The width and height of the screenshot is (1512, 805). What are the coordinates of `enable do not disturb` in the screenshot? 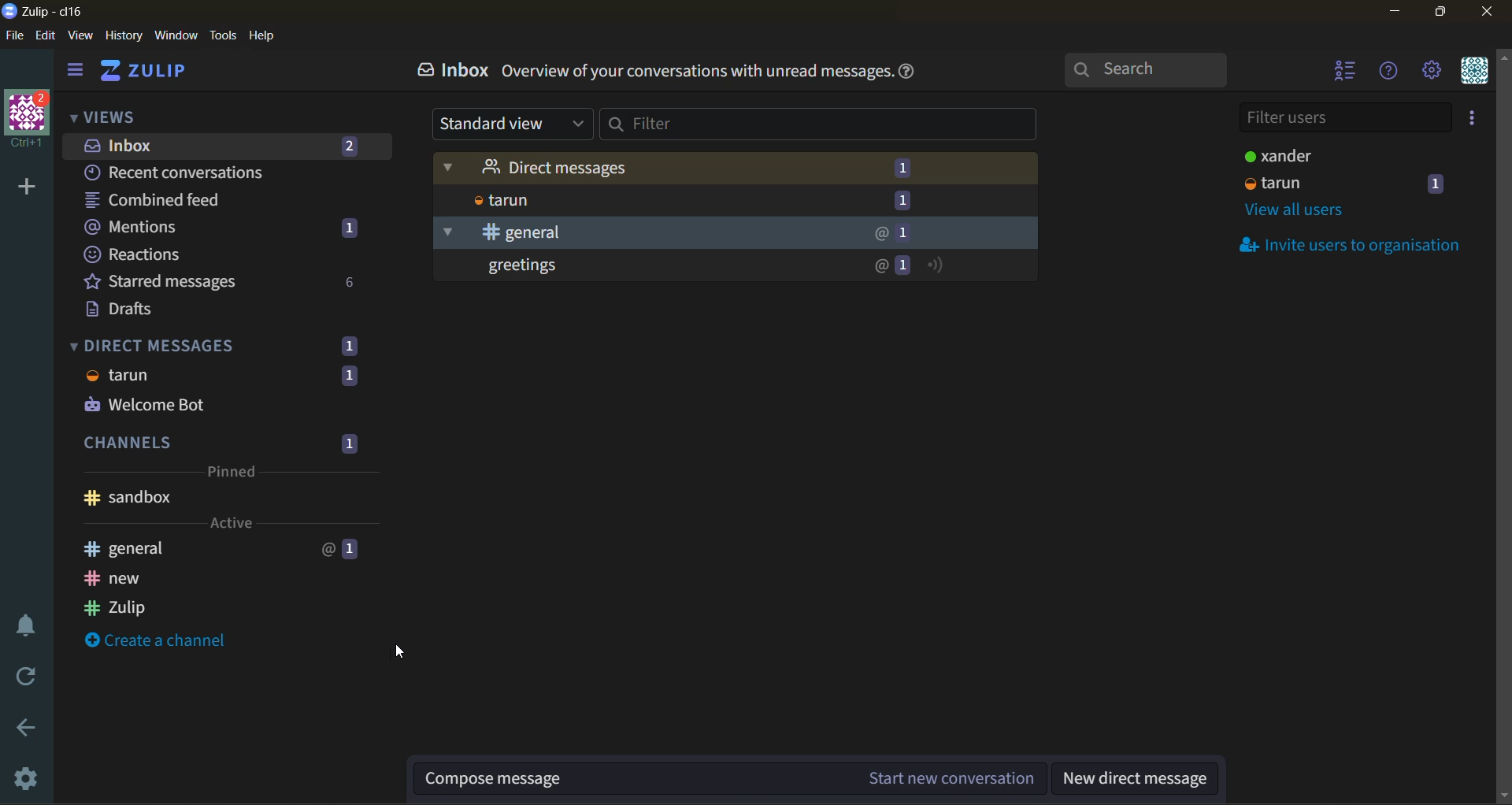 It's located at (23, 625).